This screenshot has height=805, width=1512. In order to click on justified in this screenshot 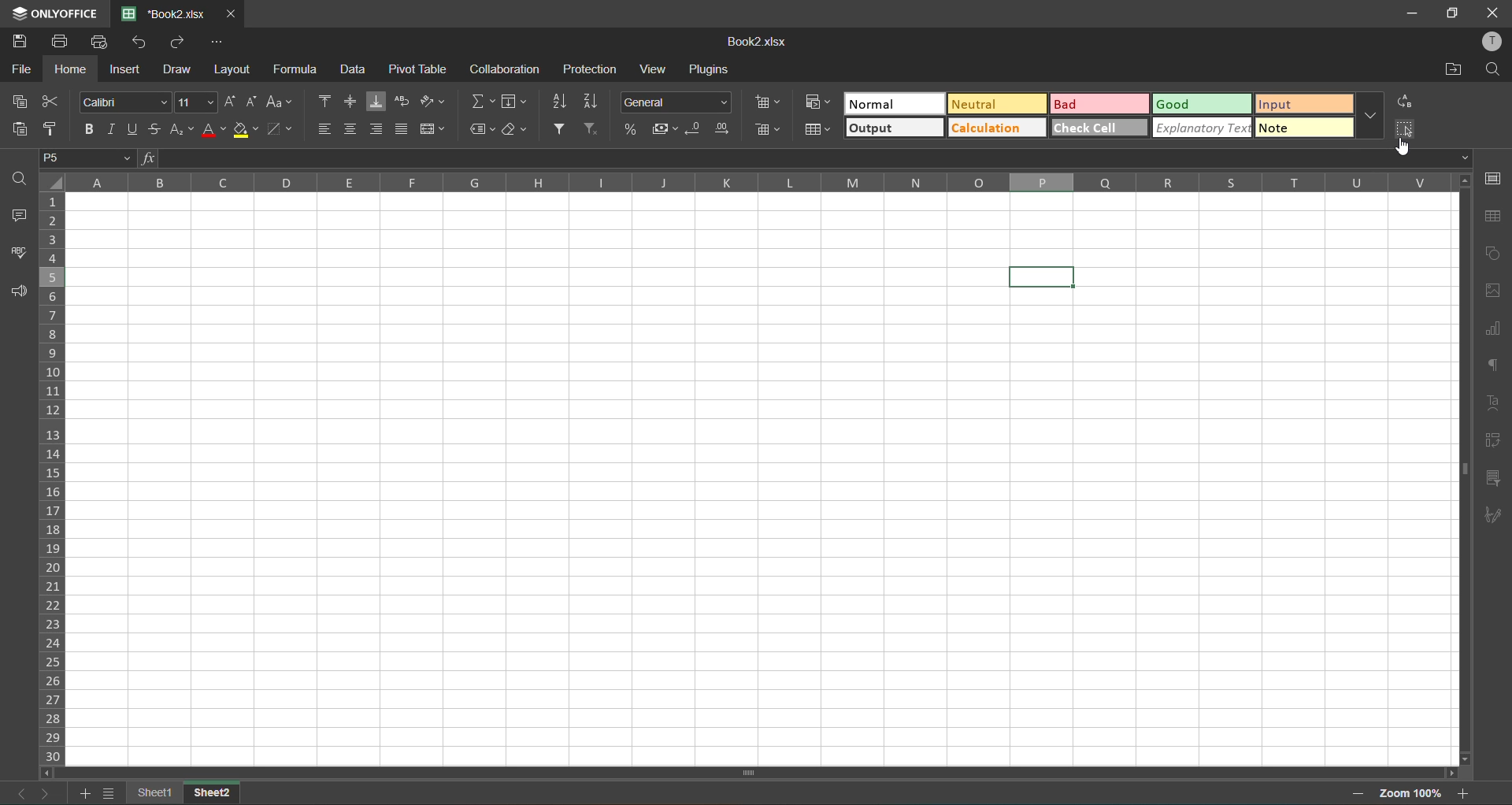, I will do `click(402, 130)`.